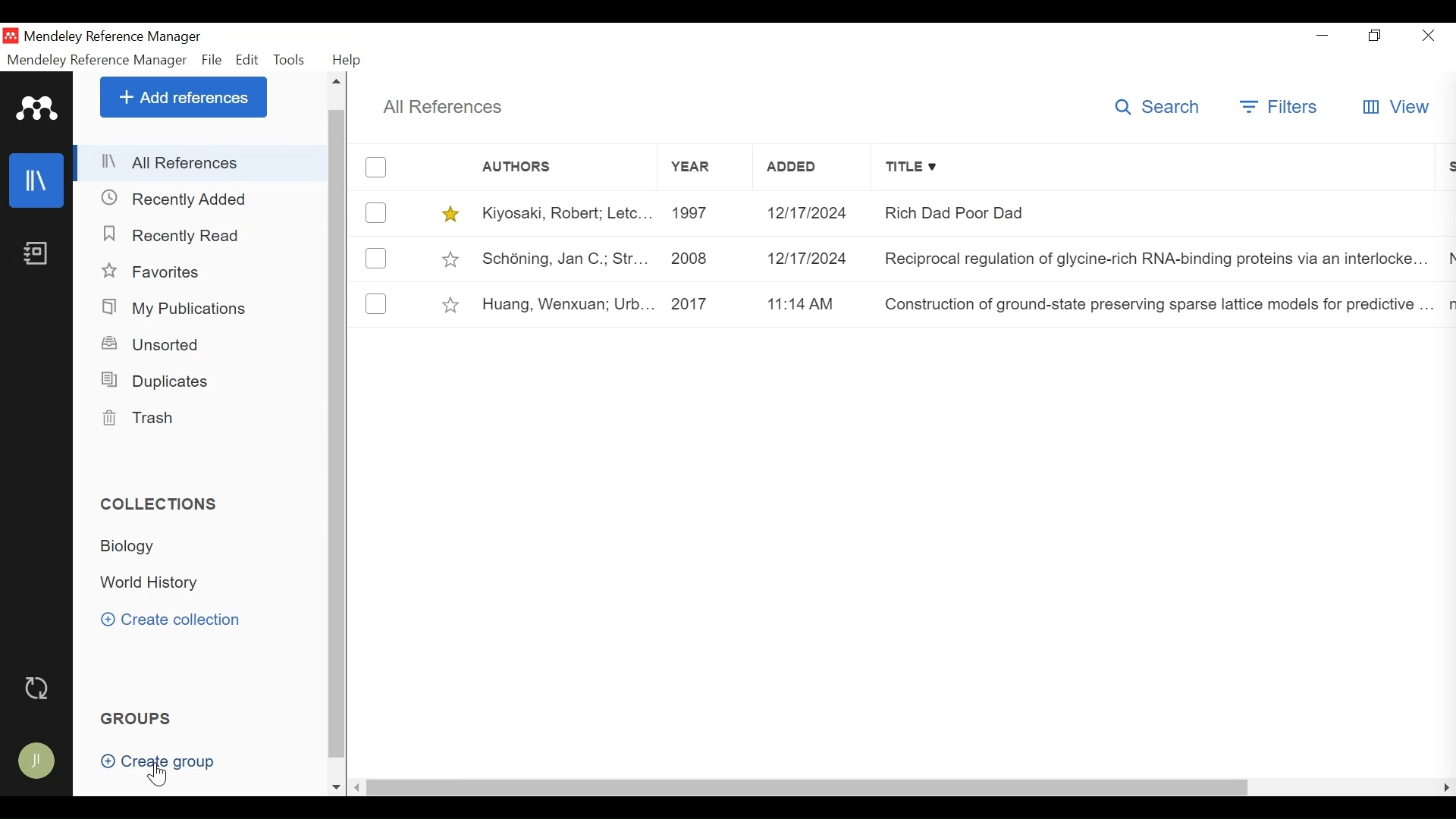 The width and height of the screenshot is (1456, 819). What do you see at coordinates (37, 108) in the screenshot?
I see `Mendeley Logo` at bounding box center [37, 108].